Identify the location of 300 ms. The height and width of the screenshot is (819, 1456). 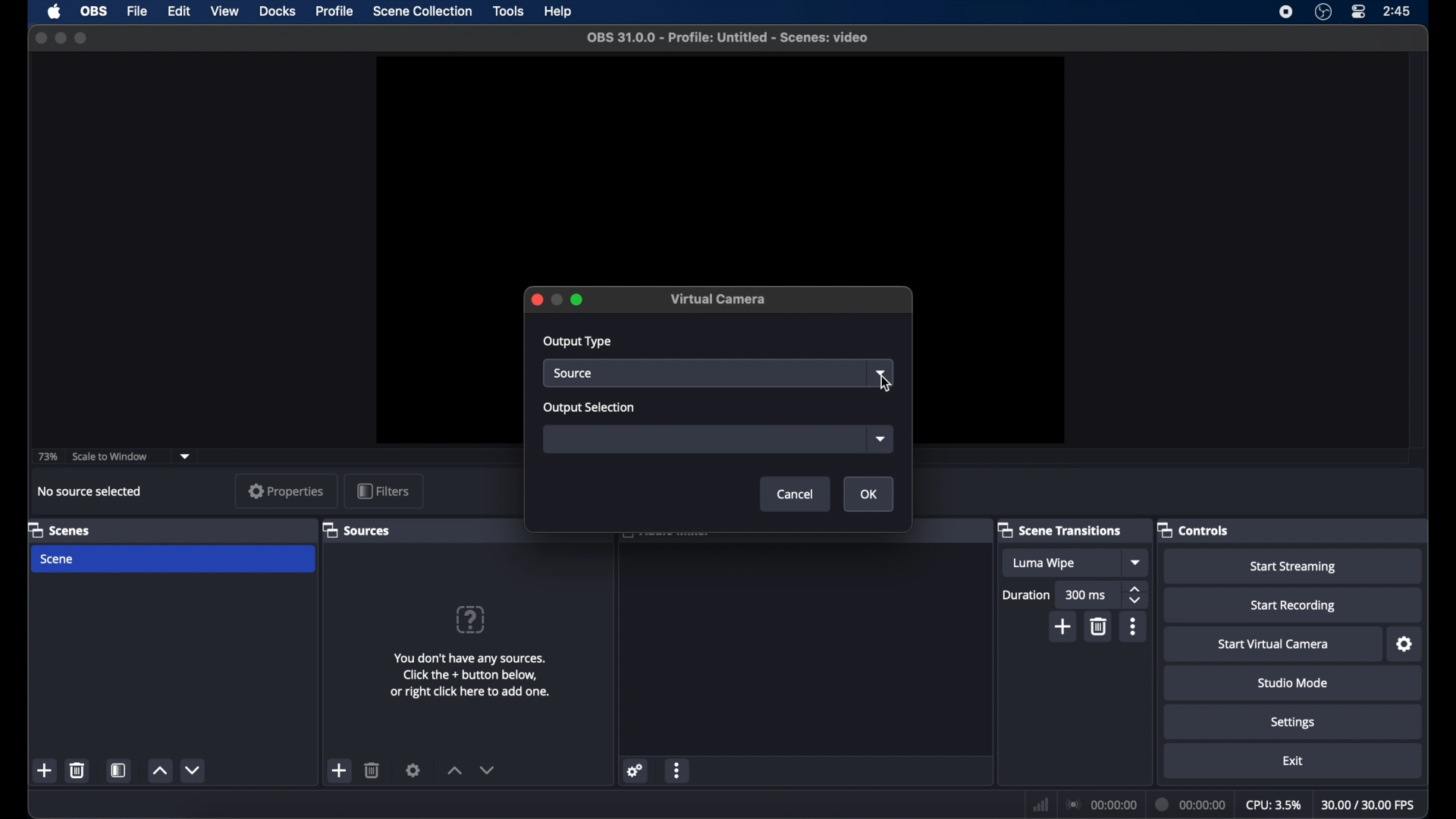
(1088, 595).